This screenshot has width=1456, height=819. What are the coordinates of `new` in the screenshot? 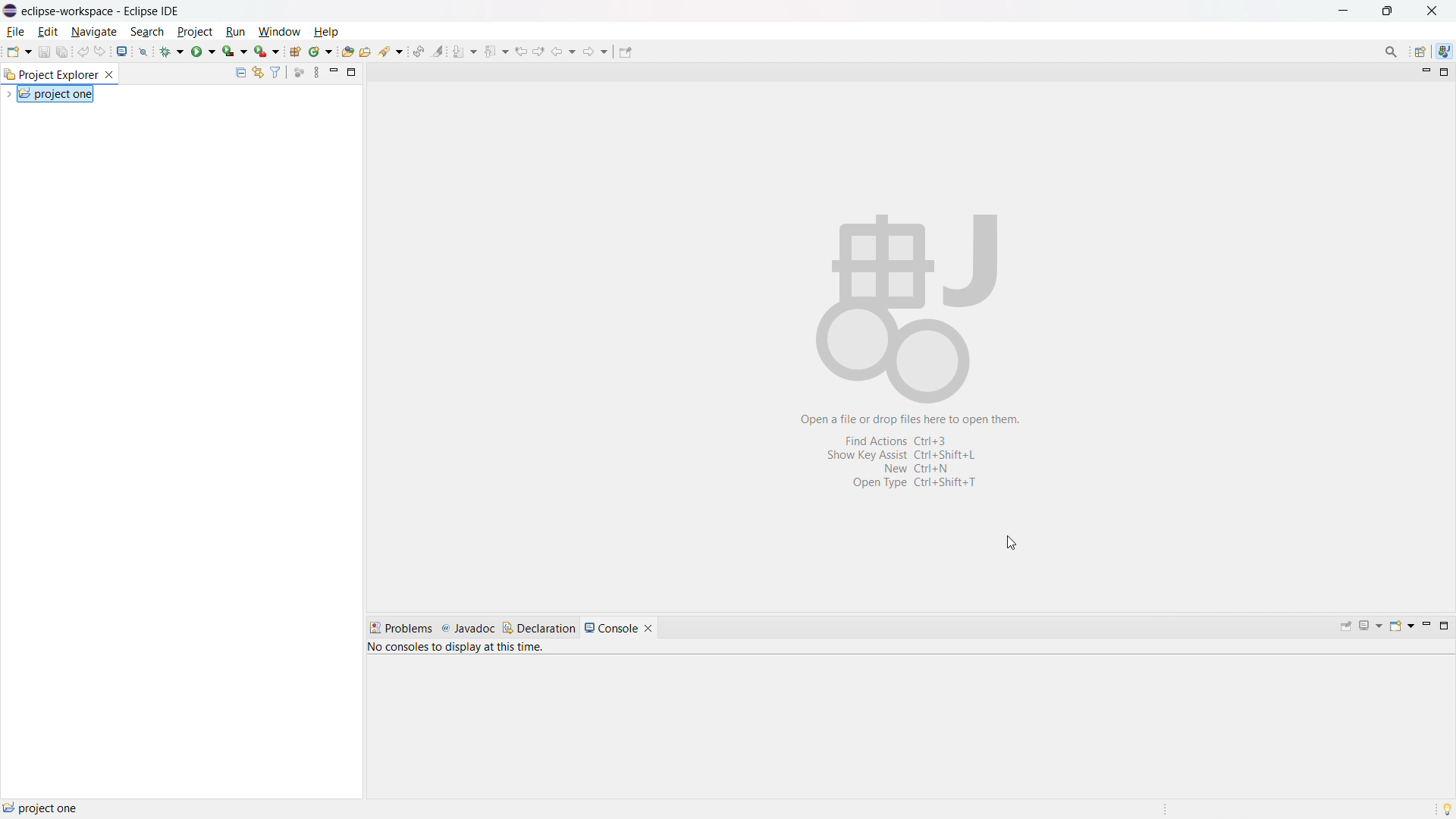 It's located at (18, 51).